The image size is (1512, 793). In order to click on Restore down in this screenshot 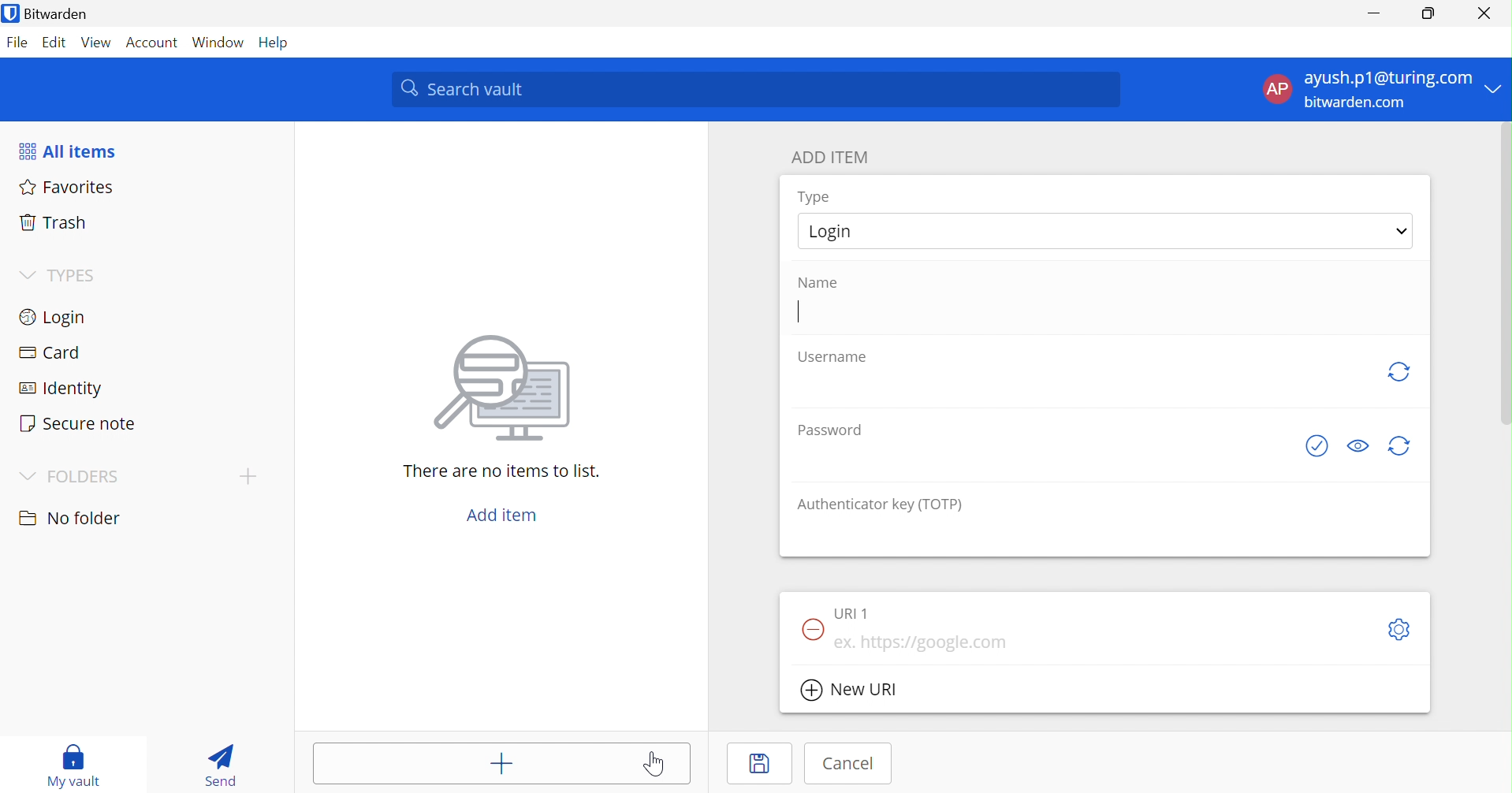, I will do `click(1431, 14)`.